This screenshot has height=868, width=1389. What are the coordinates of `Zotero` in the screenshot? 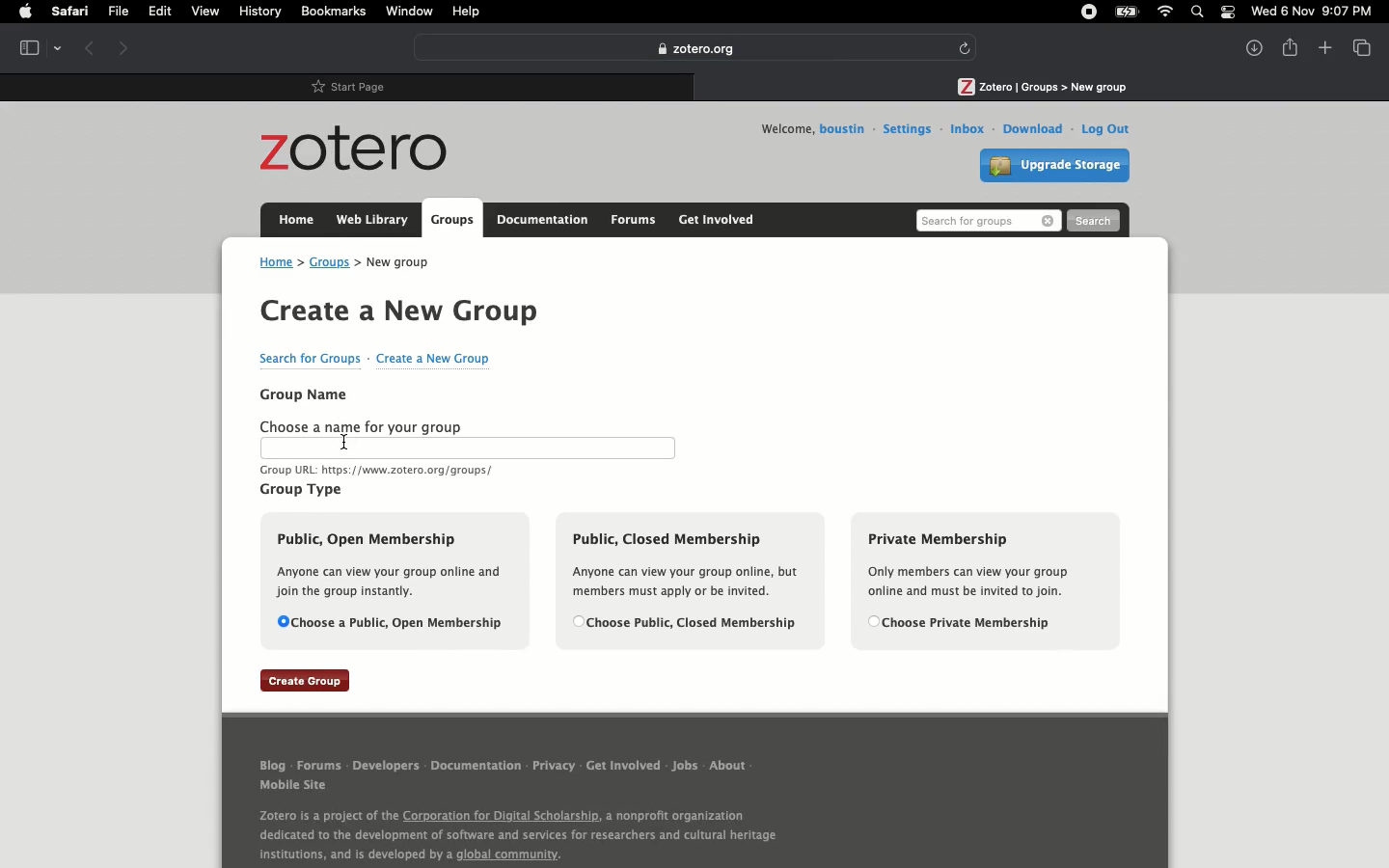 It's located at (360, 150).